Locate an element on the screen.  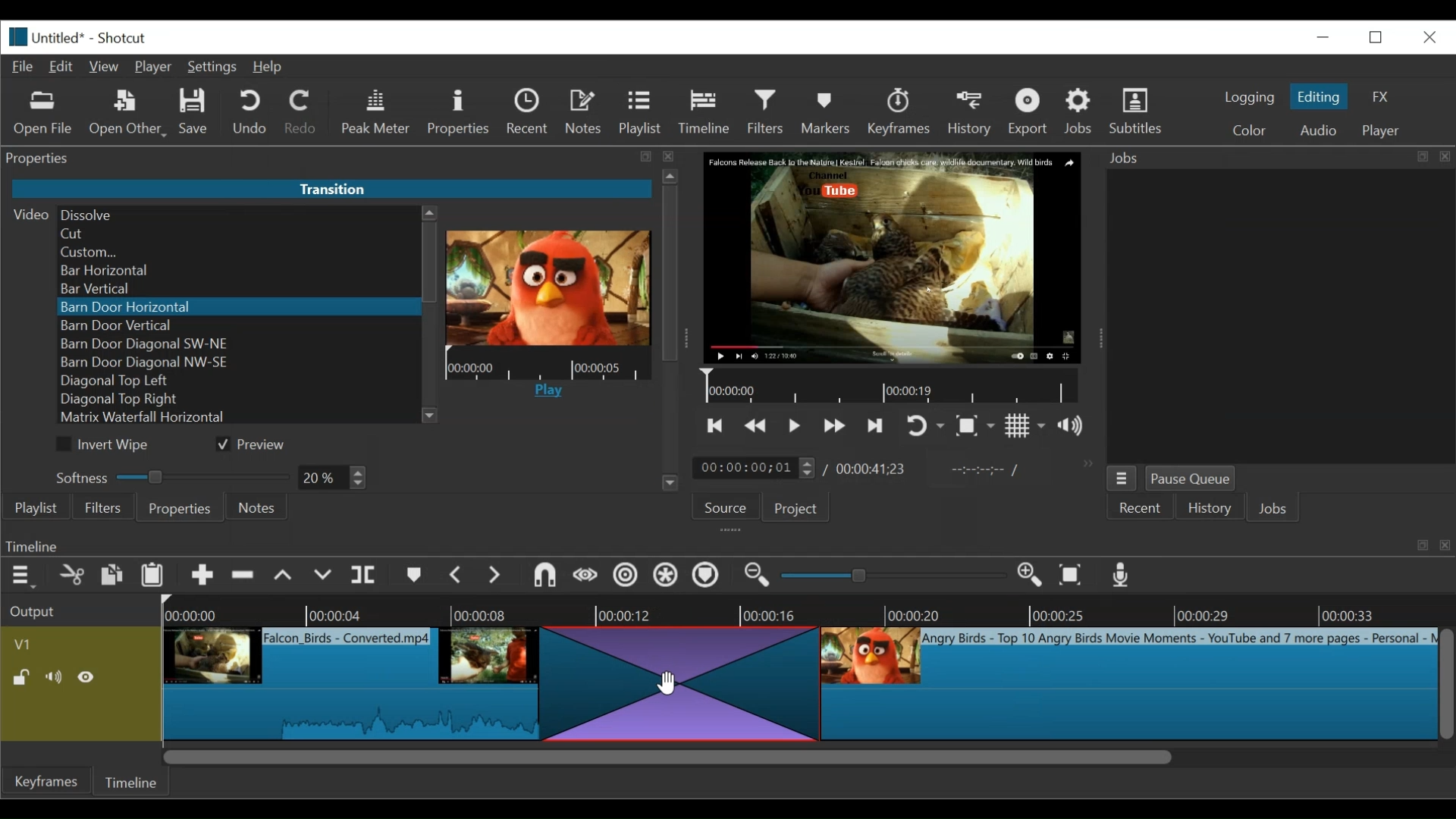
Field is located at coordinates (334, 479).